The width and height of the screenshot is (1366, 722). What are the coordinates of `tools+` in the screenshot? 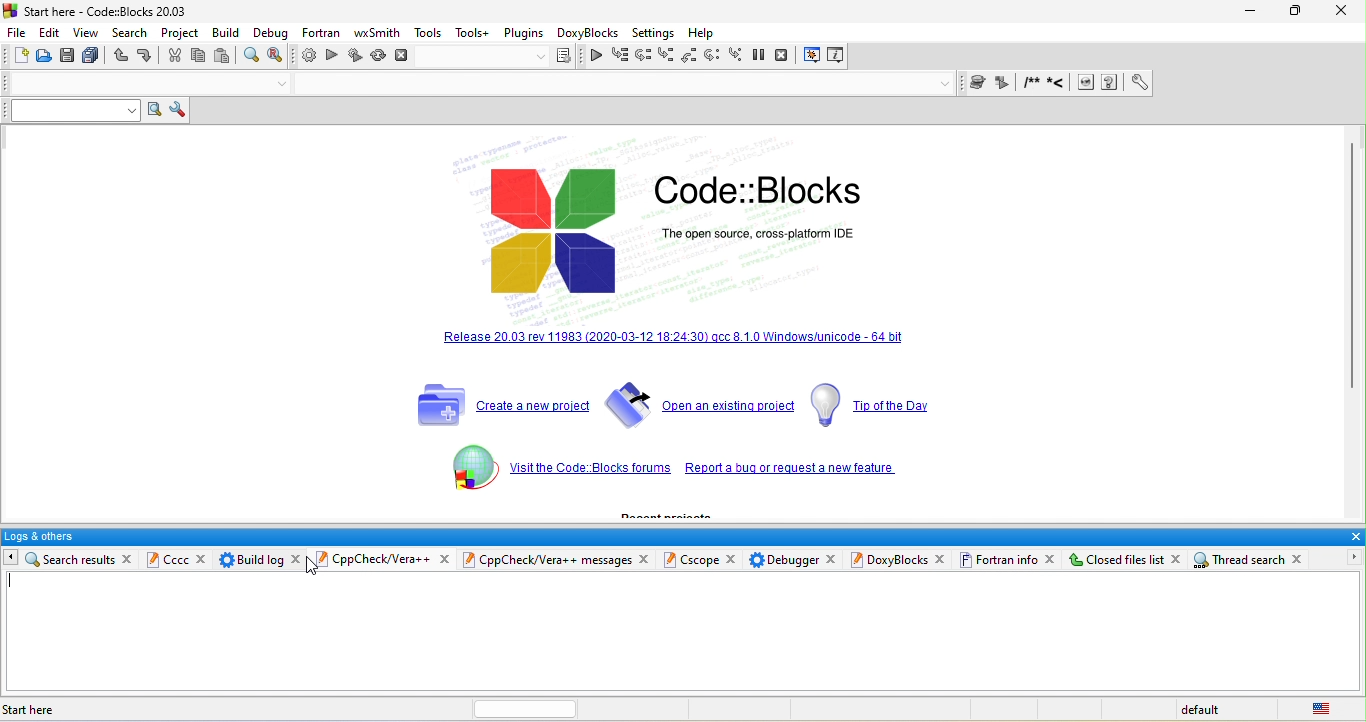 It's located at (473, 34).